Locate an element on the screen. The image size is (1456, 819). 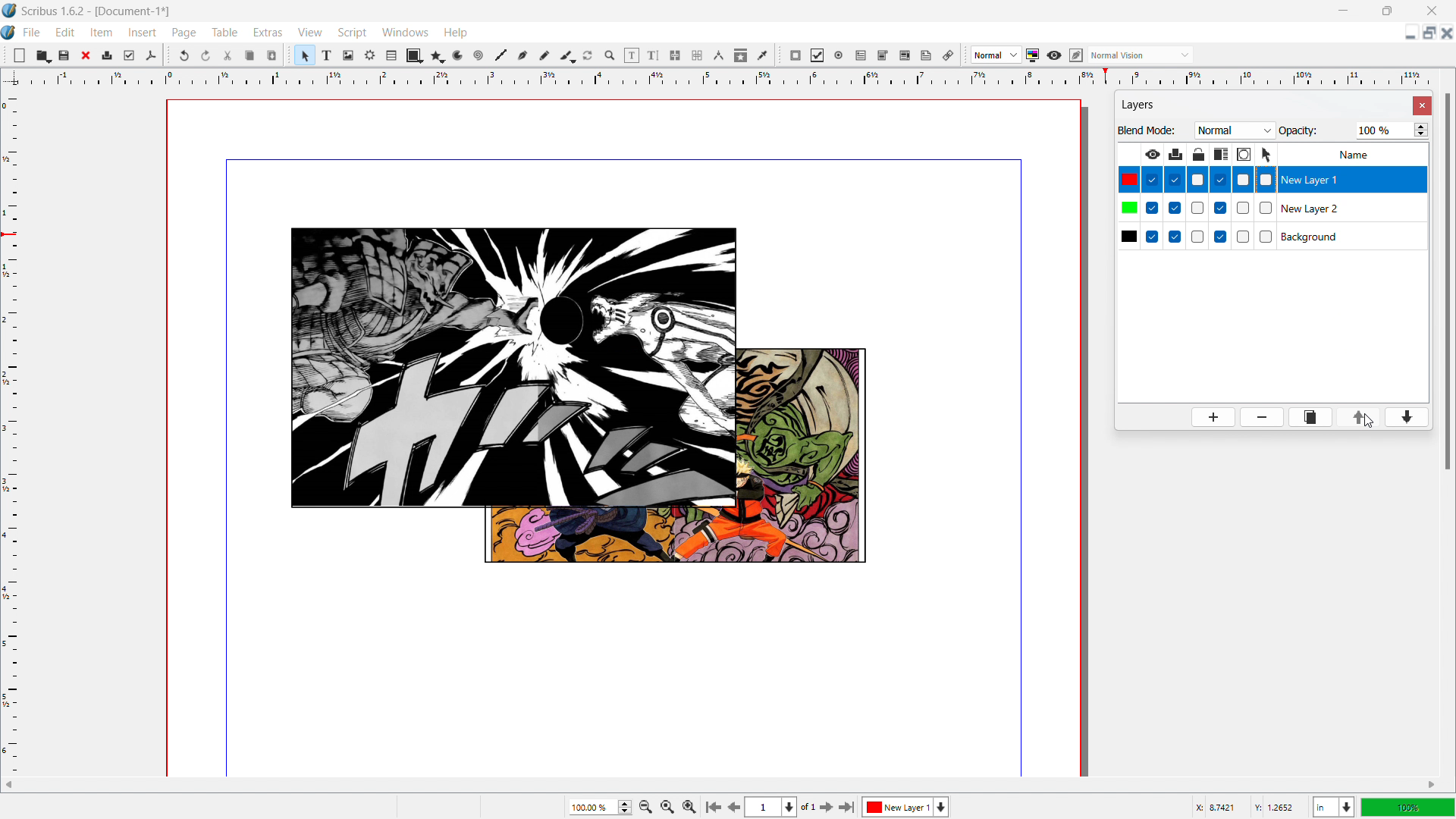
pdf checkbox is located at coordinates (817, 55).